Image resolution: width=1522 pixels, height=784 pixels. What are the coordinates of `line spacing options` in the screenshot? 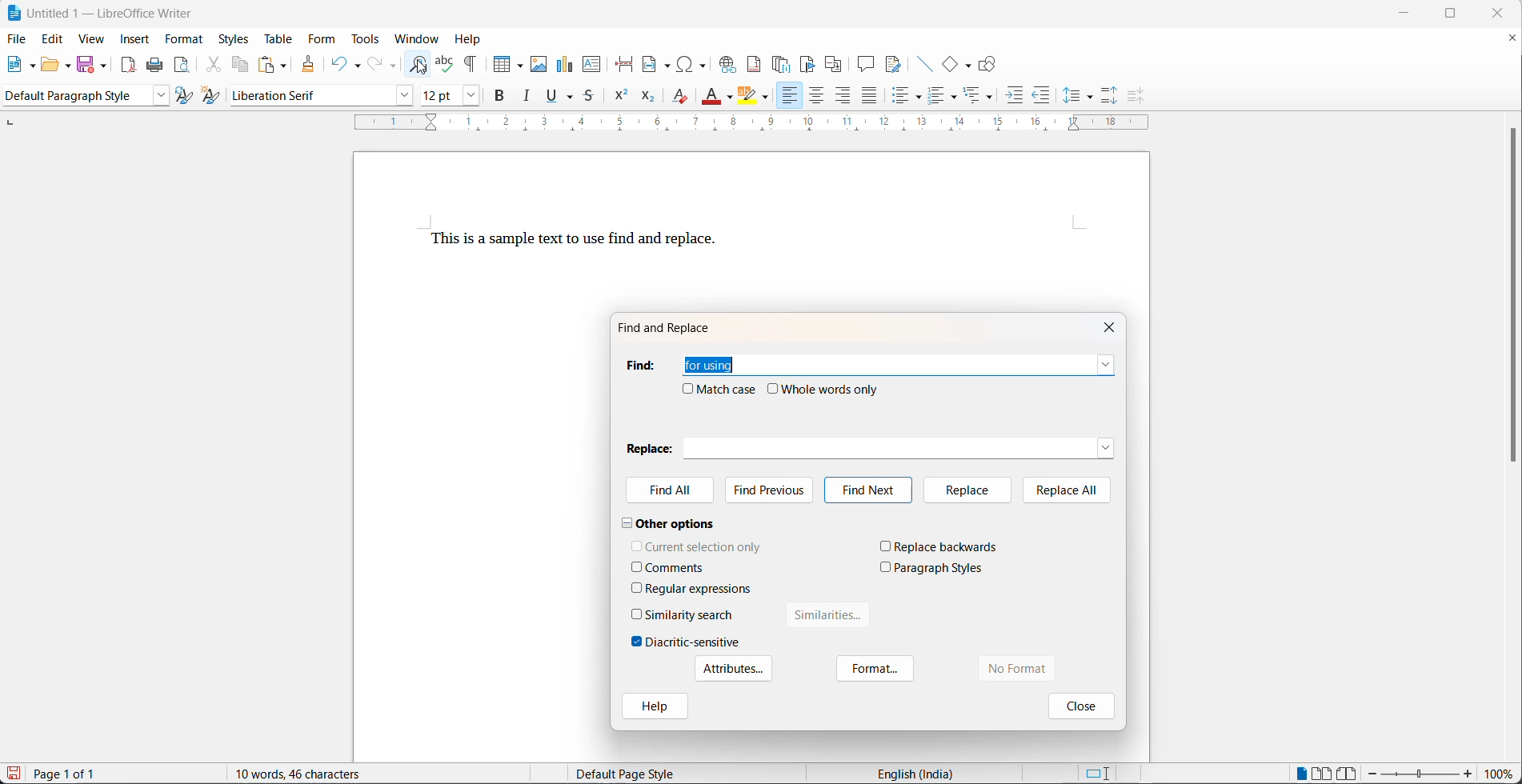 It's located at (1071, 96).